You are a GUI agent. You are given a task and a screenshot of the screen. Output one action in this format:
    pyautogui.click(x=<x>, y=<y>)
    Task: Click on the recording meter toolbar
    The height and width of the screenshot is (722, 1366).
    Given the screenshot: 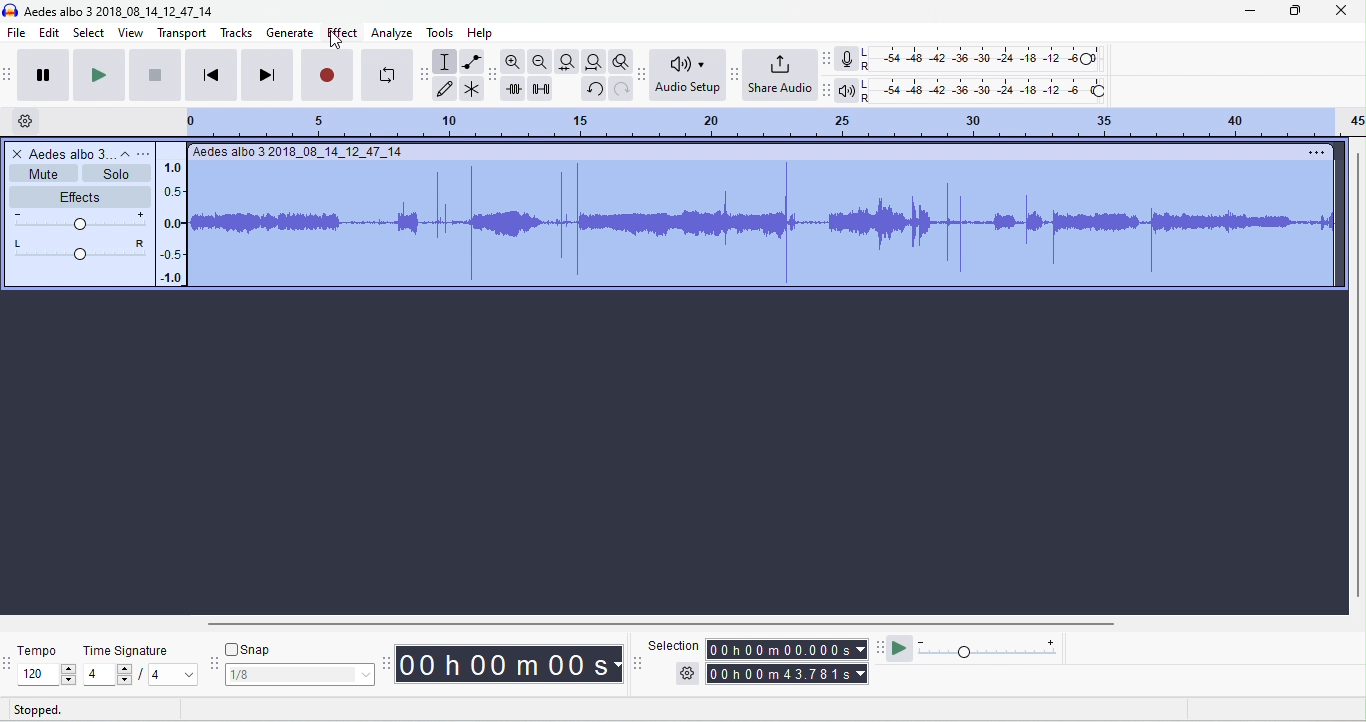 What is the action you would take?
    pyautogui.click(x=828, y=58)
    